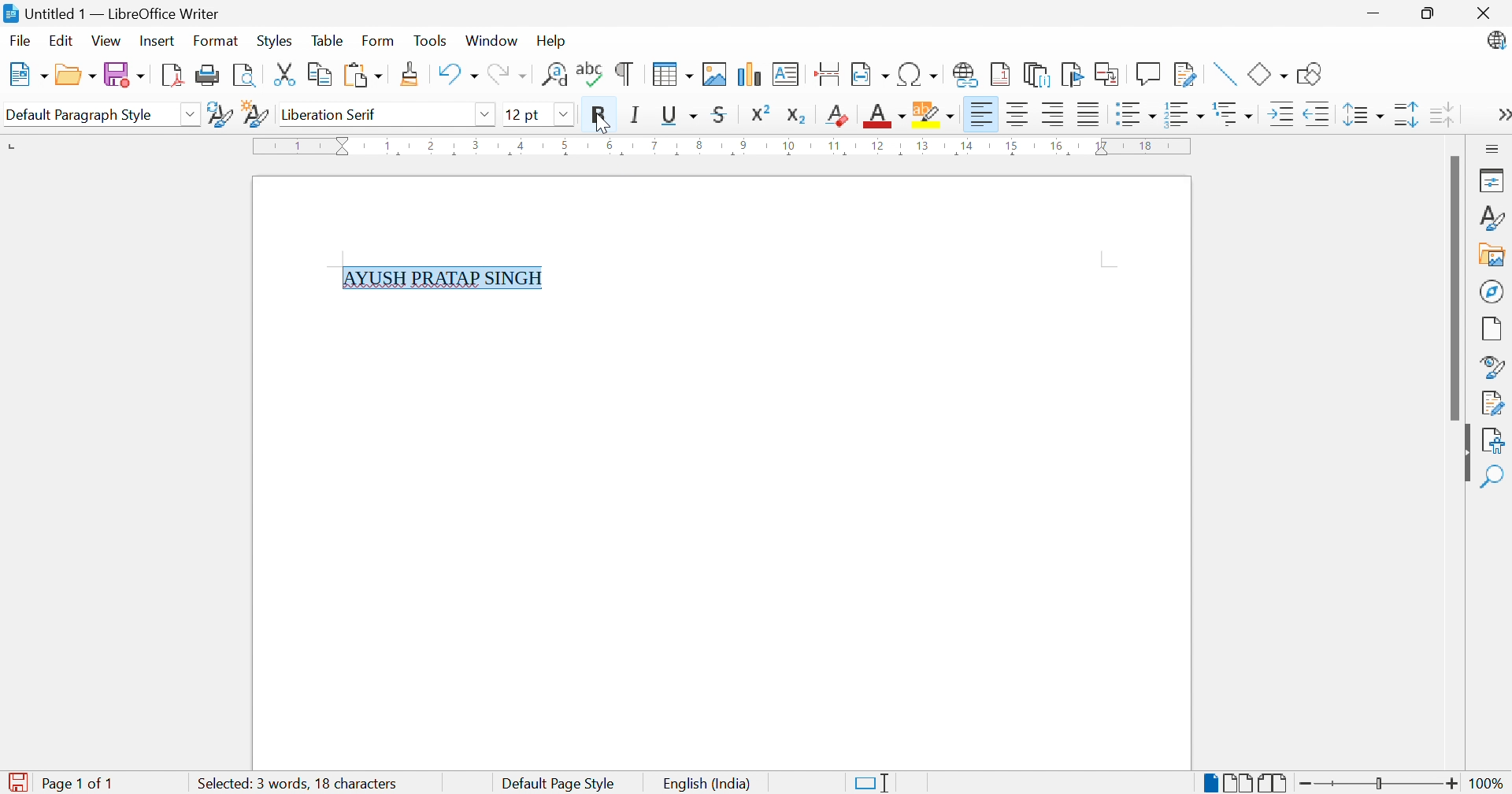  I want to click on Toggle Print Preview, so click(245, 76).